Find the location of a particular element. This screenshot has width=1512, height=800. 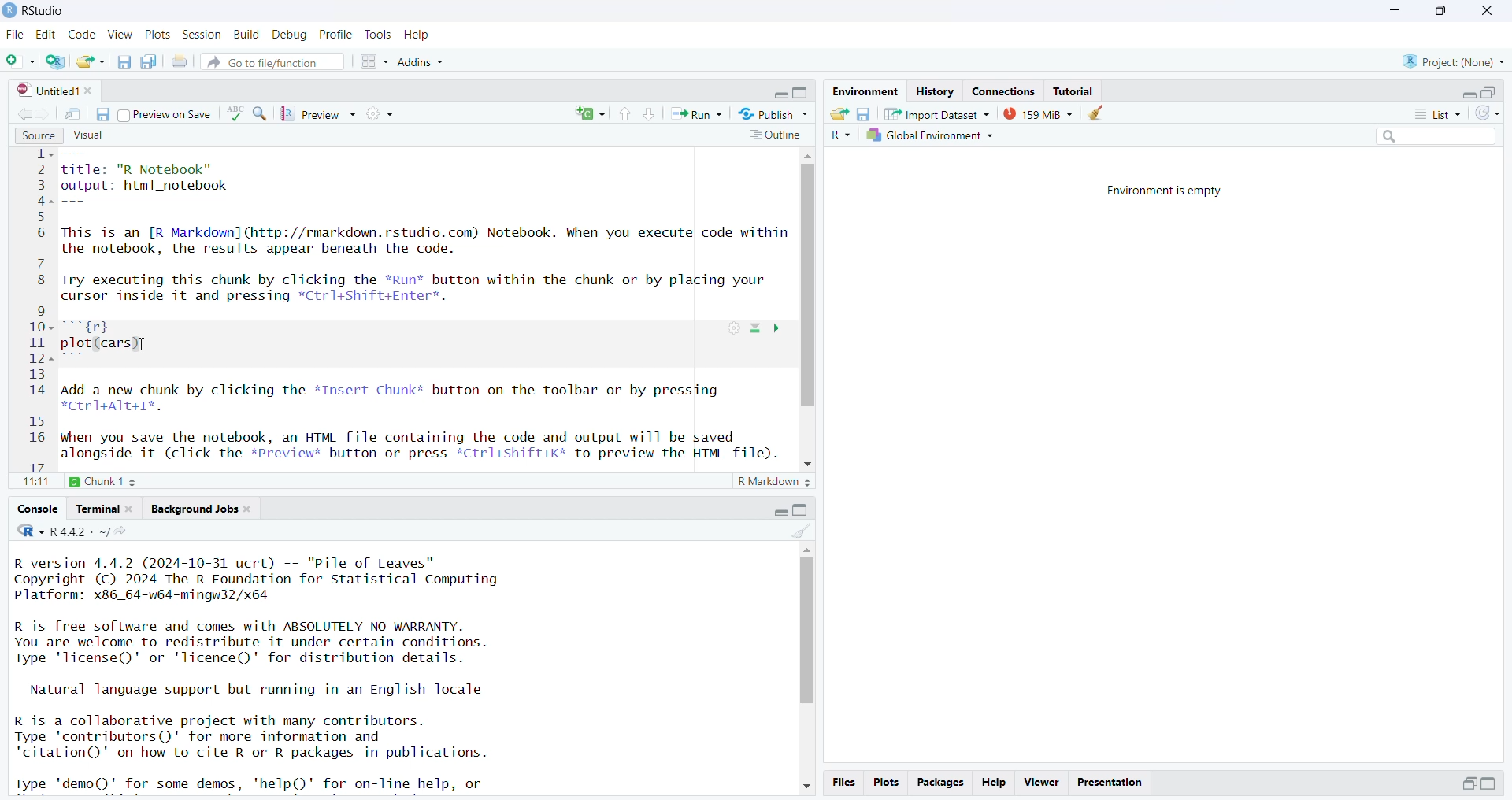

session is located at coordinates (202, 35).